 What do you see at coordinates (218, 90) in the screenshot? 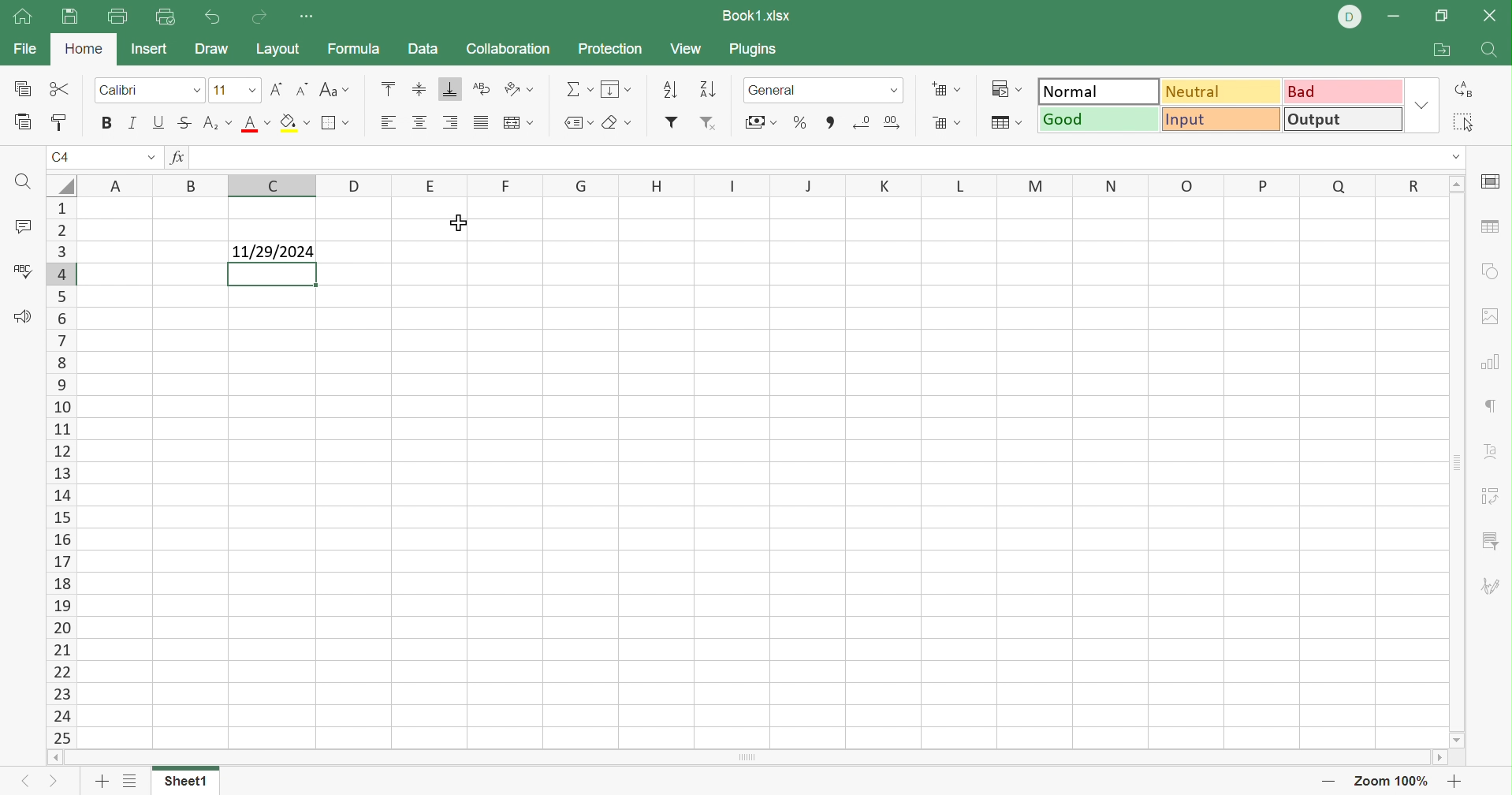
I see `11` at bounding box center [218, 90].